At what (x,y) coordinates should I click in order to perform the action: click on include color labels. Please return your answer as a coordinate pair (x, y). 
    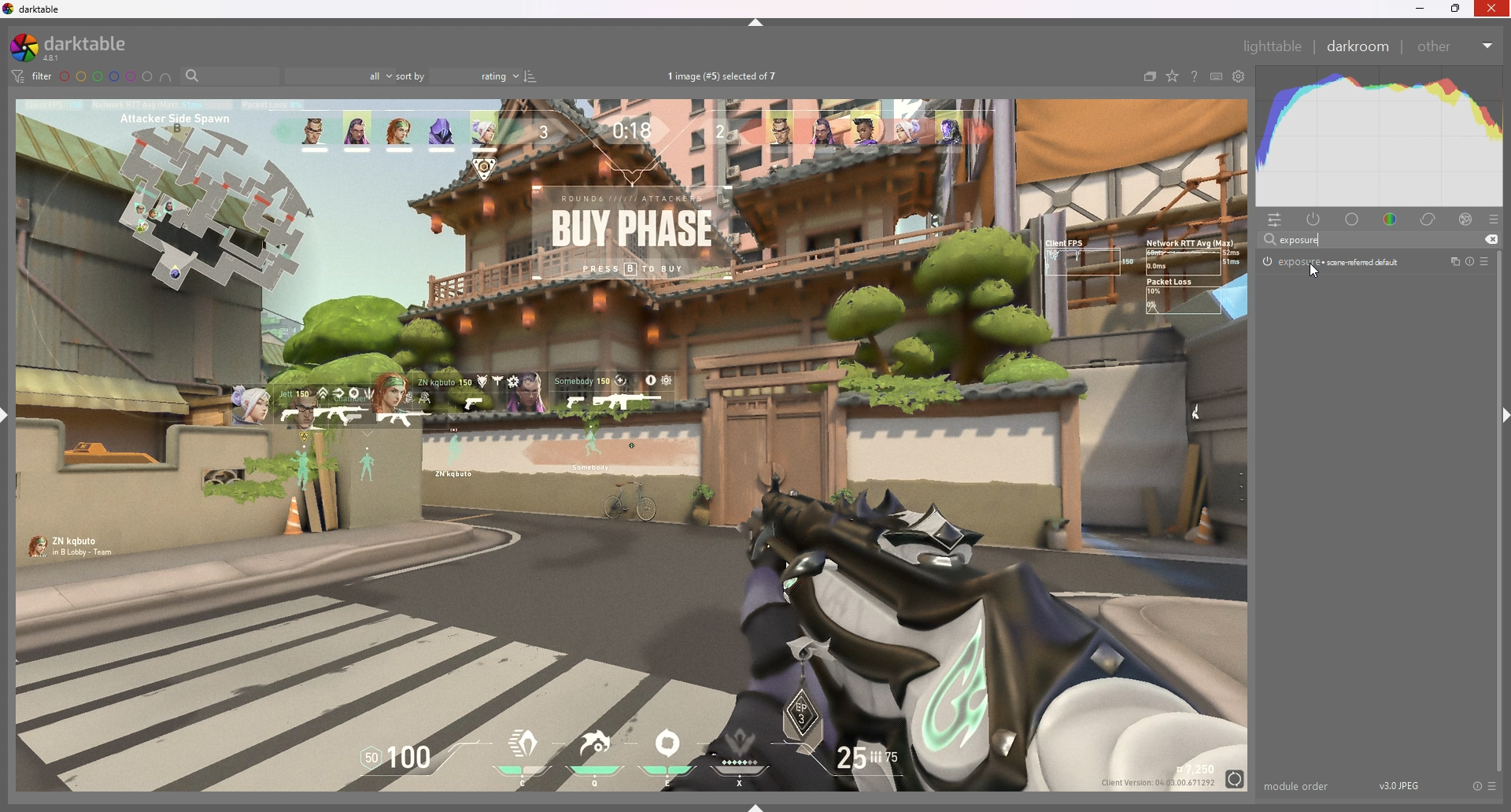
    Looking at the image, I should click on (168, 77).